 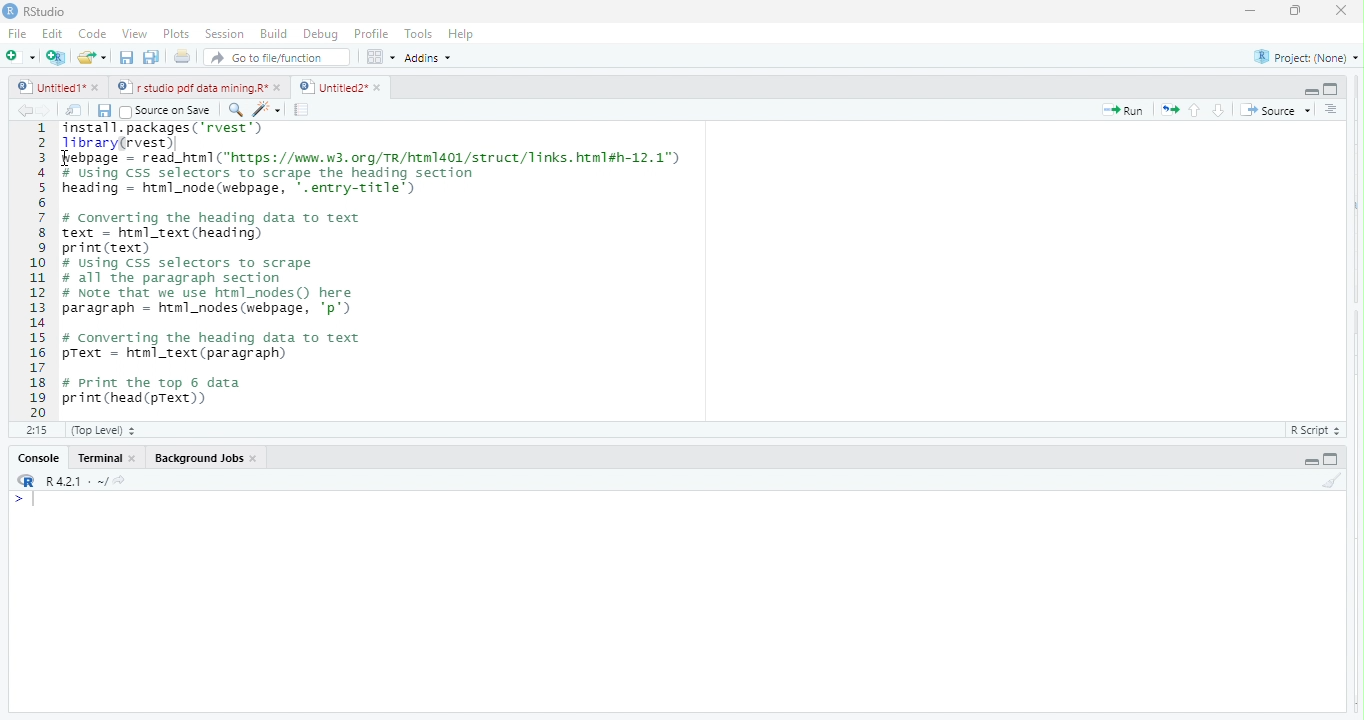 I want to click on new file, so click(x=20, y=56).